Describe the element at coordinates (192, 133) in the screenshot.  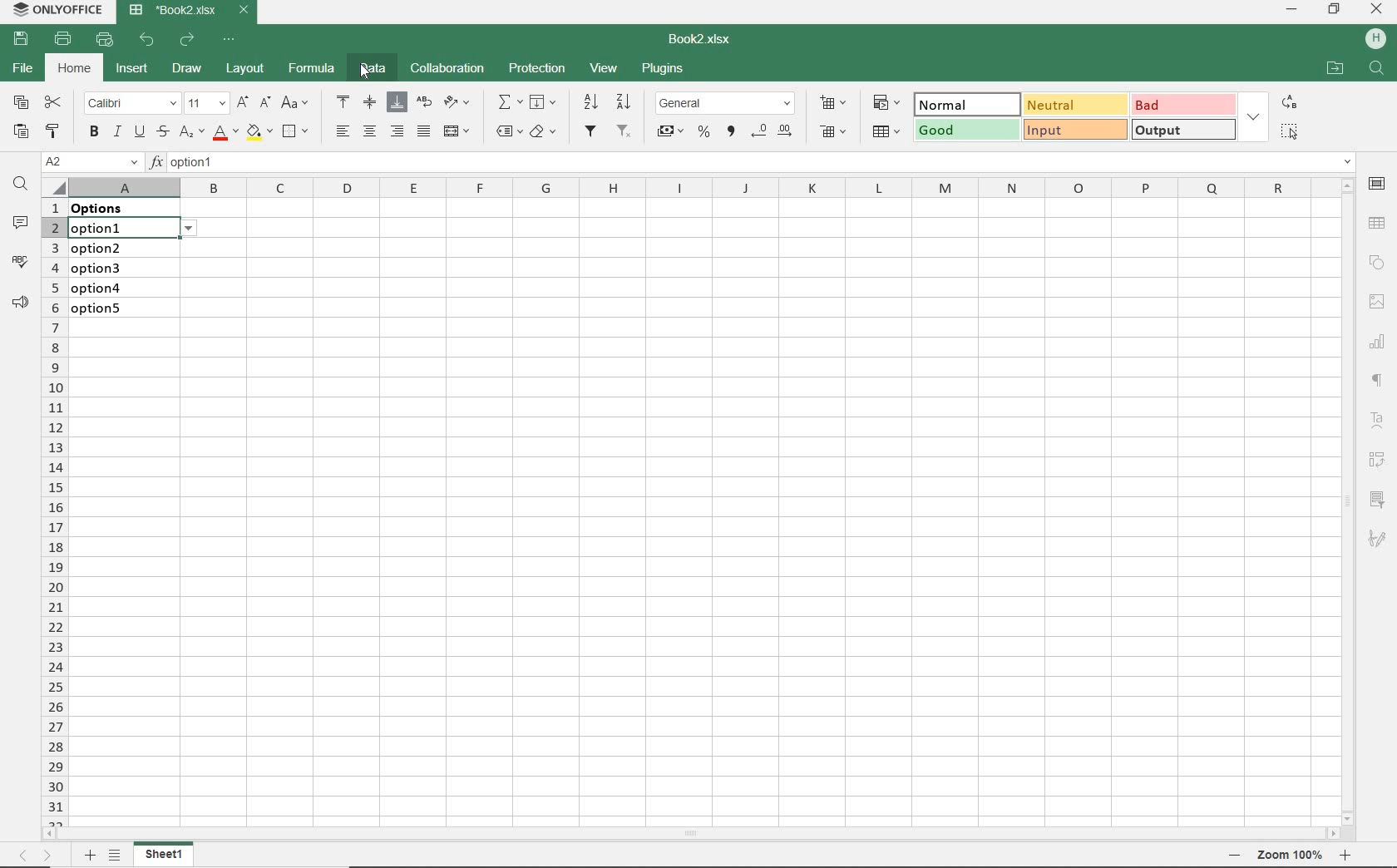
I see `SUPERSCRIPT/SUBSCRIPT` at that location.